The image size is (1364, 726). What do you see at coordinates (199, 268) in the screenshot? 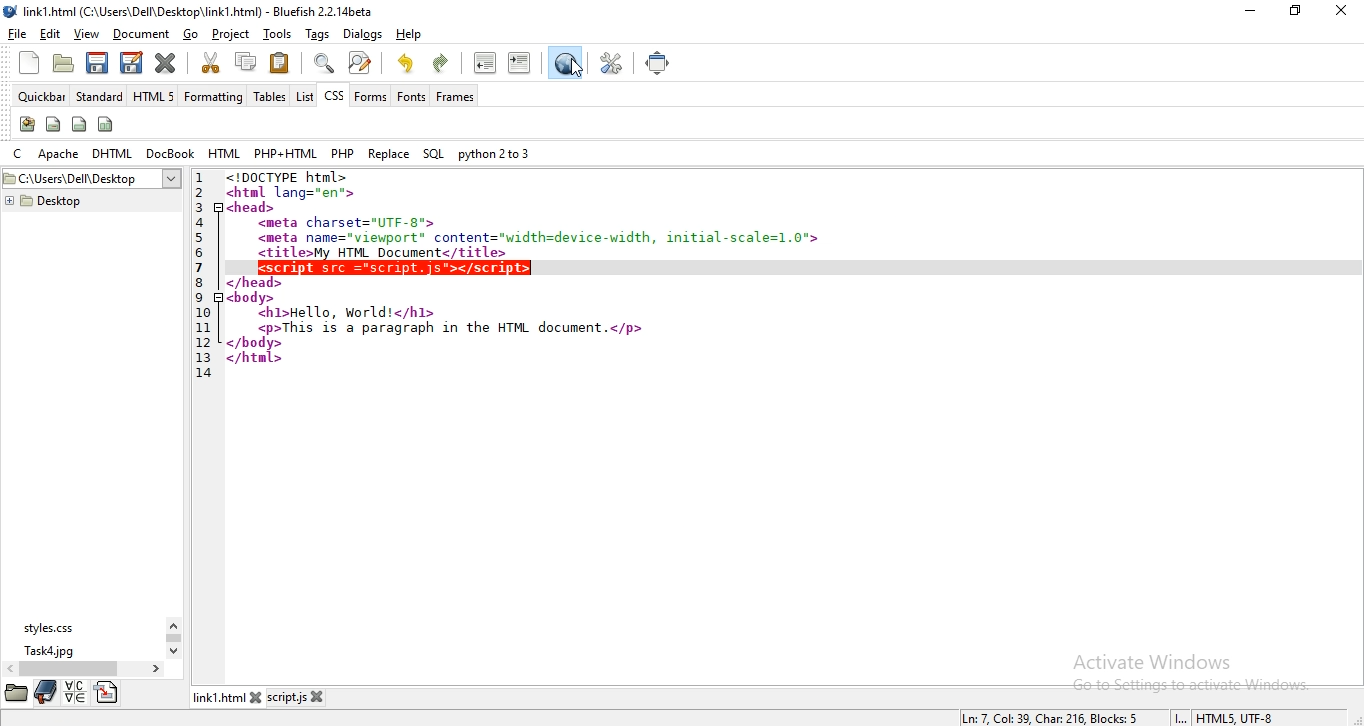
I see `7` at bounding box center [199, 268].